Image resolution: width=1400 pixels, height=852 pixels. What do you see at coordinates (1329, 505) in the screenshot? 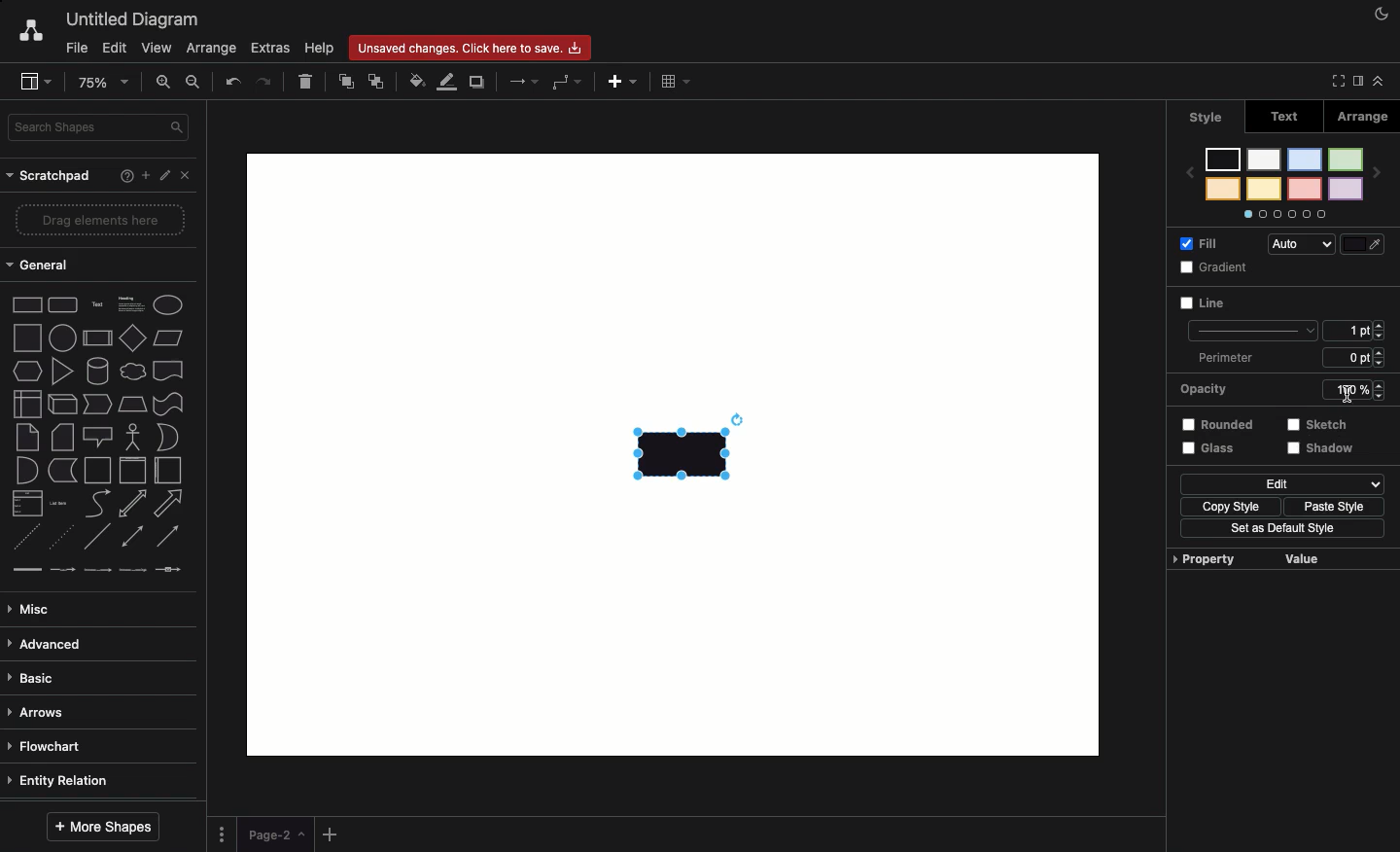
I see `Paste style` at bounding box center [1329, 505].